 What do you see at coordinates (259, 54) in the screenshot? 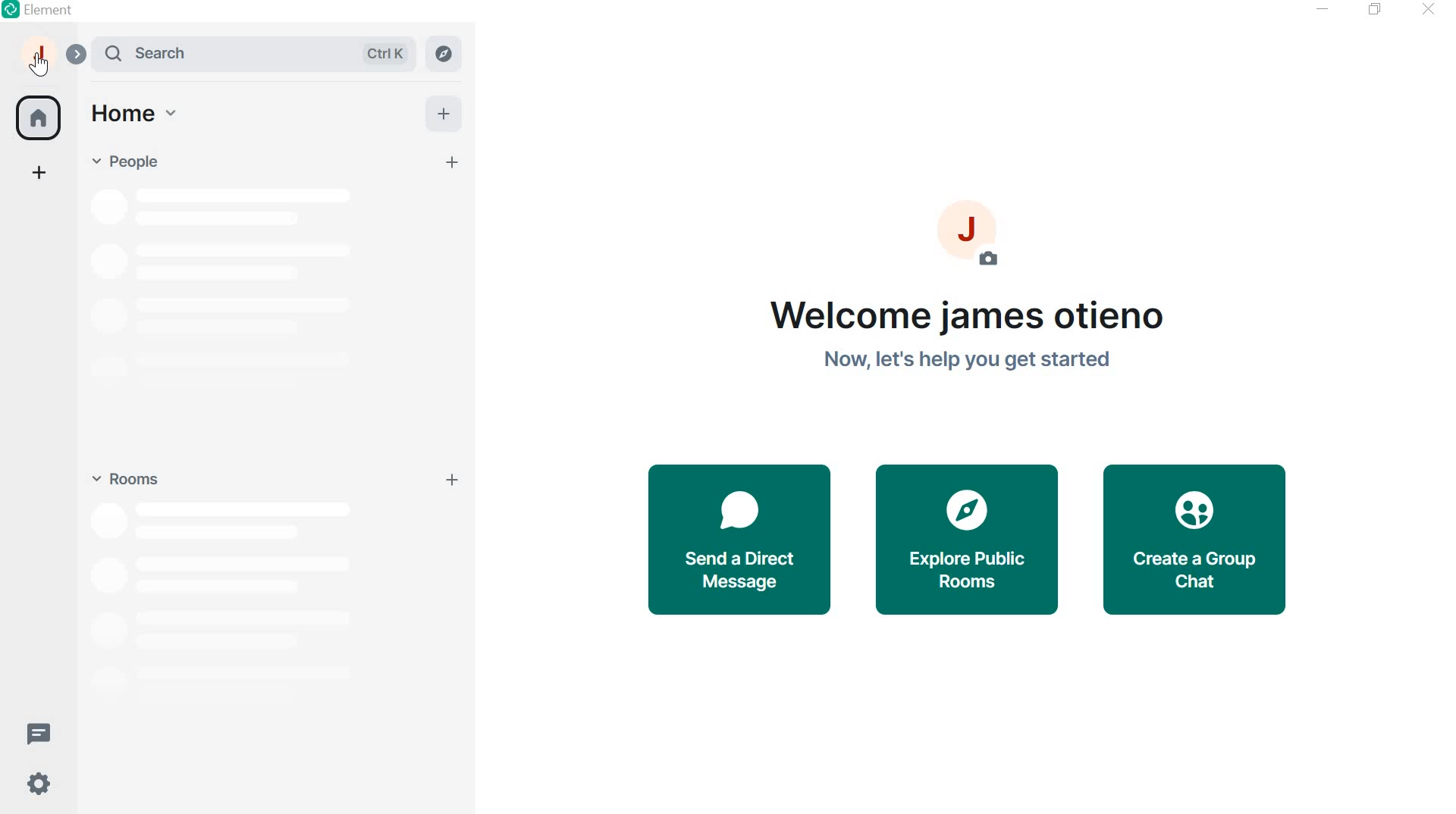
I see `SEARCH` at bounding box center [259, 54].